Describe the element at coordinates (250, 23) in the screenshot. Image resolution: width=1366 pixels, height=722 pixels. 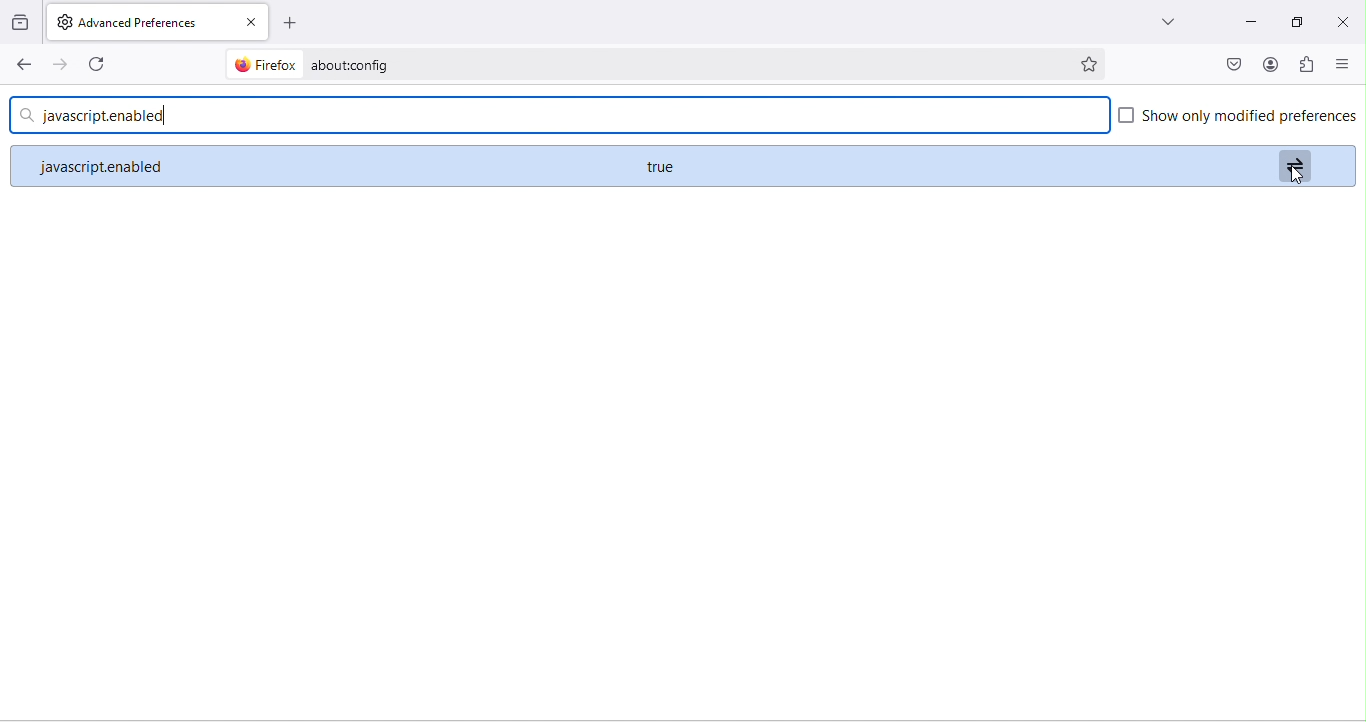
I see `close` at that location.